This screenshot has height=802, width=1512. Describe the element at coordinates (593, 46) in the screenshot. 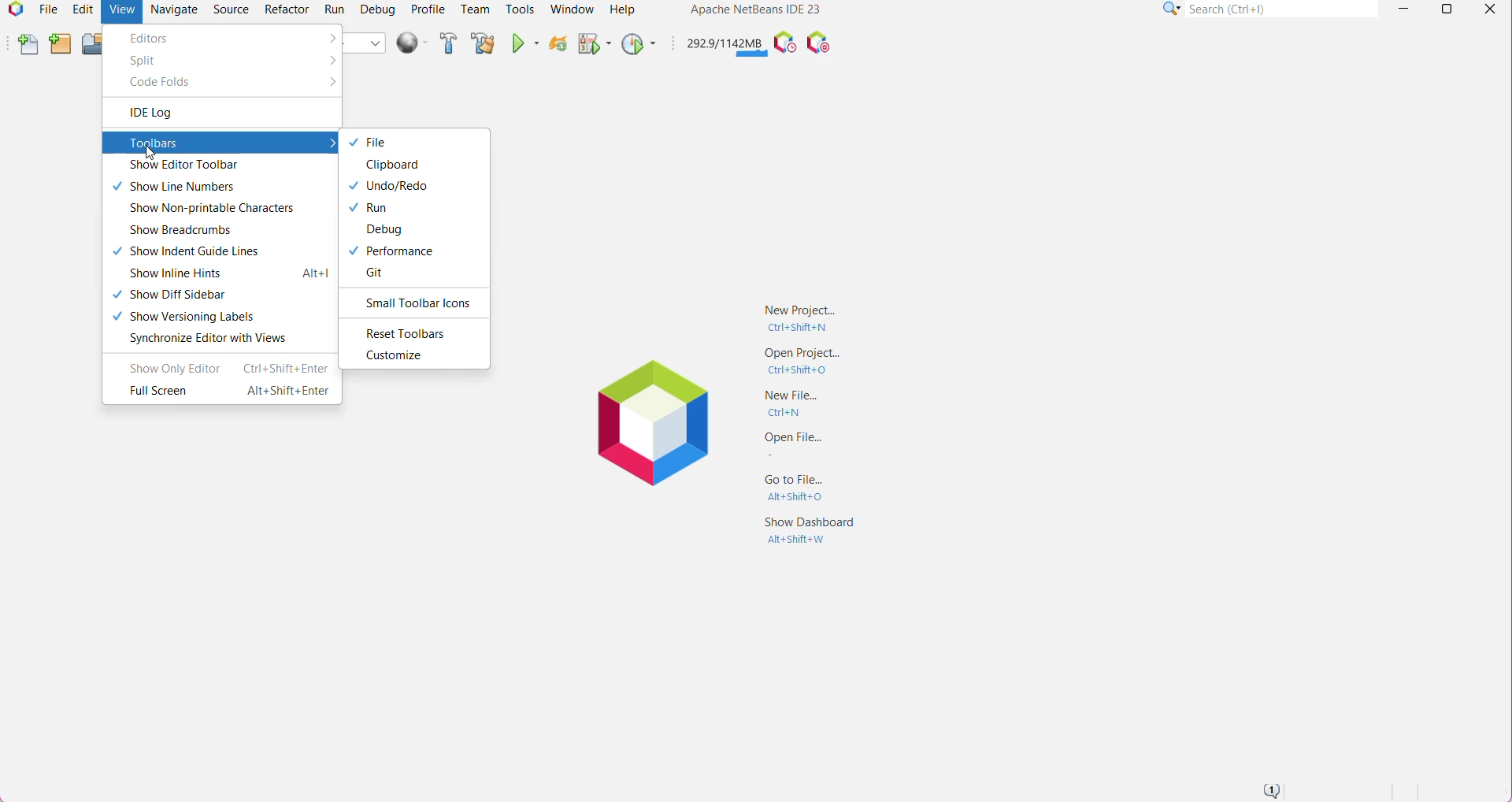

I see `Debug Main Project` at that location.